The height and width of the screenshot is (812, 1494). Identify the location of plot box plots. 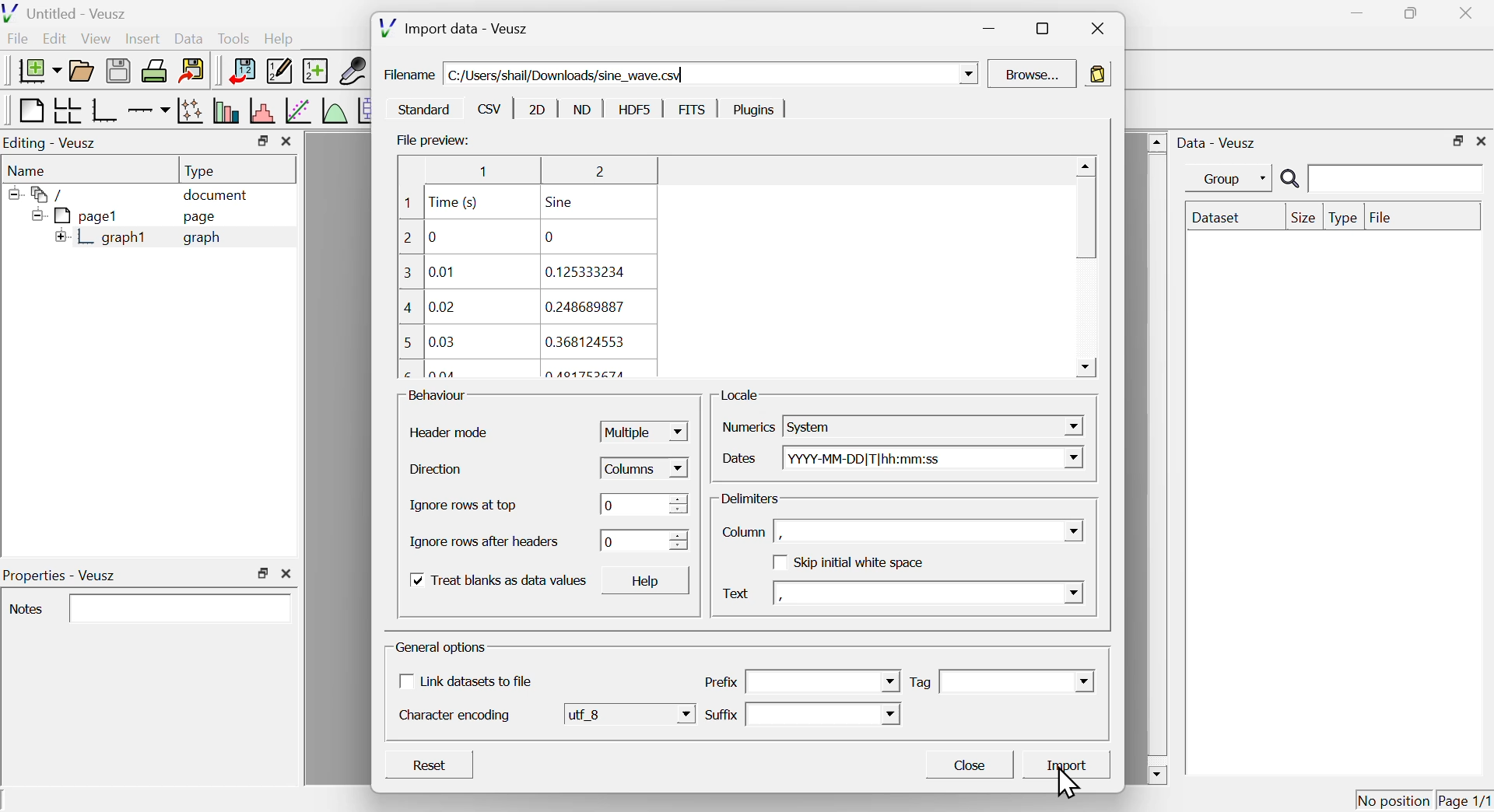
(365, 110).